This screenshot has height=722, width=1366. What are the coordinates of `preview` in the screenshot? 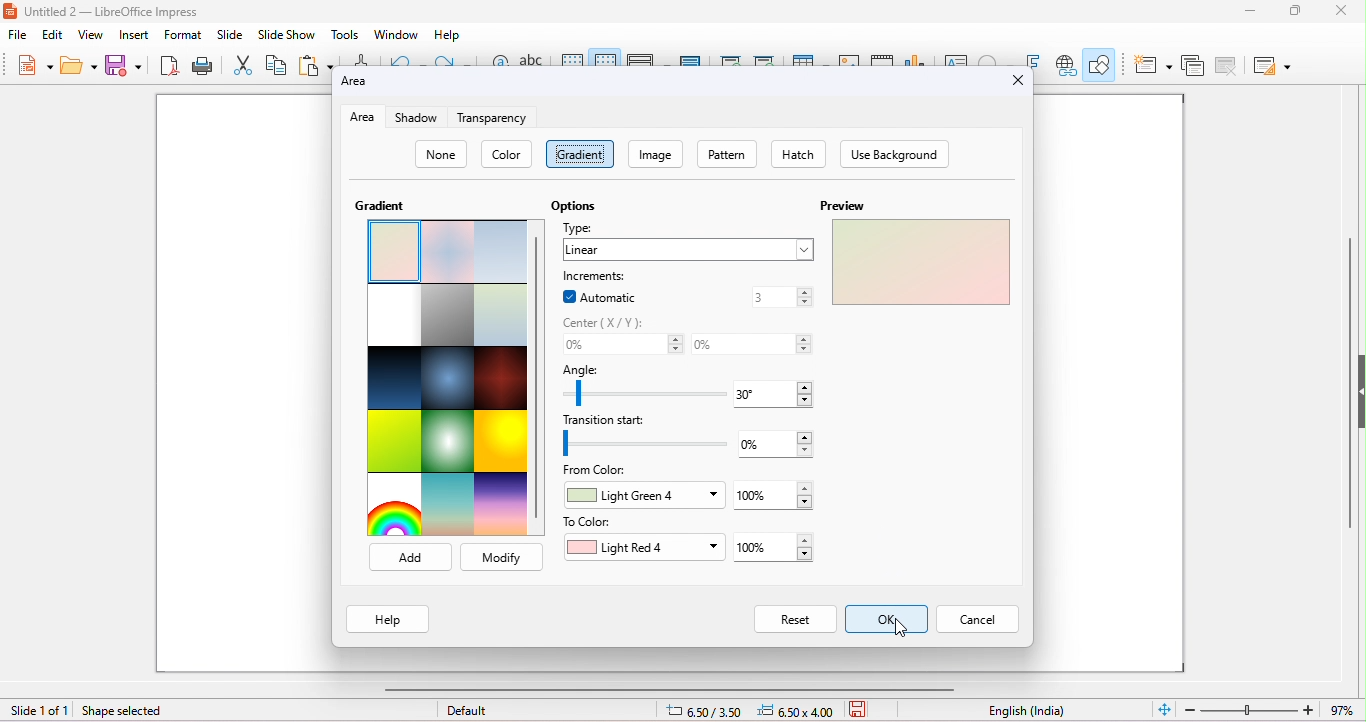 It's located at (840, 205).